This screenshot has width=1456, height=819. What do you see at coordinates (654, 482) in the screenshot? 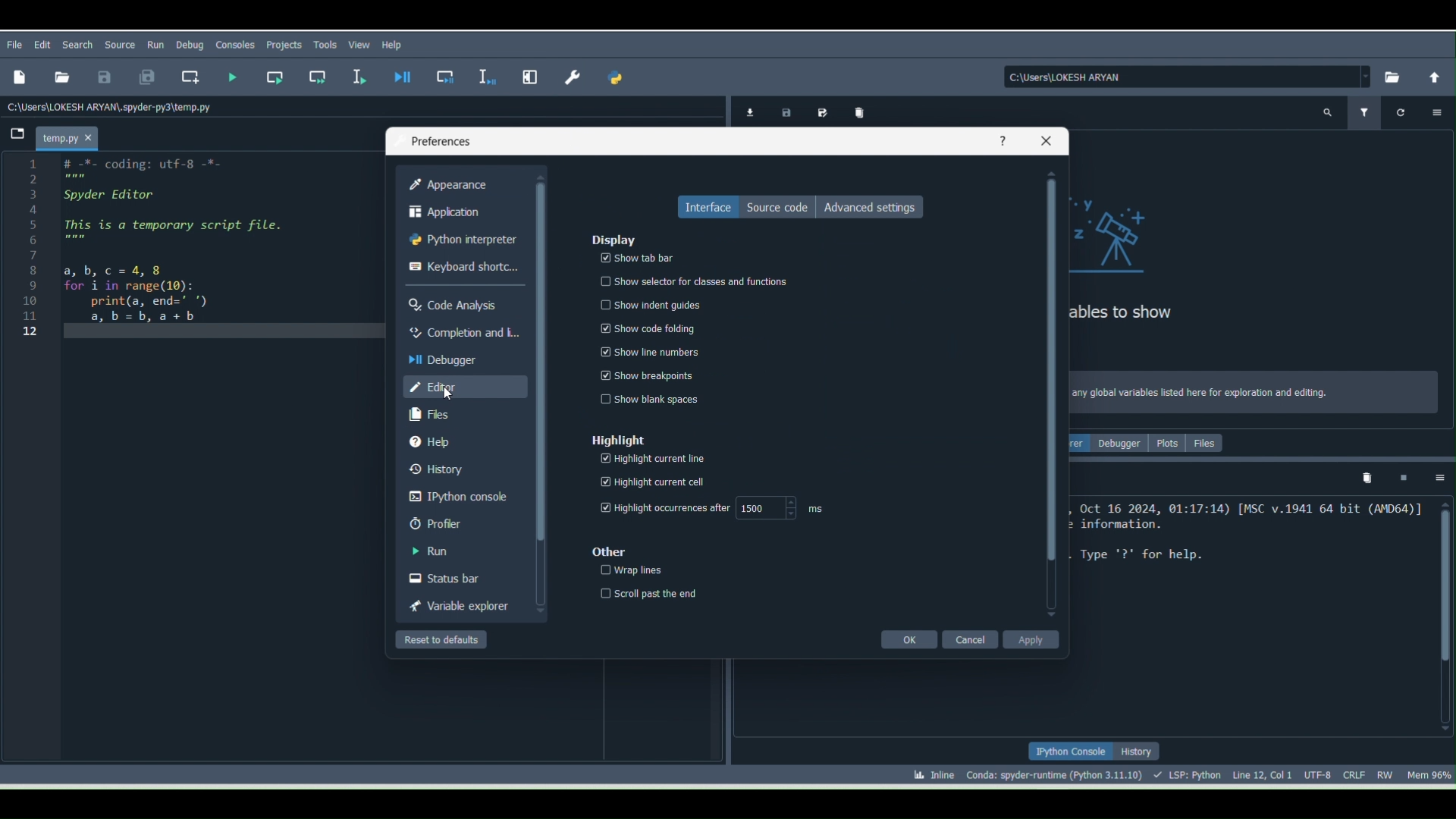
I see `Highlight current cell` at bounding box center [654, 482].